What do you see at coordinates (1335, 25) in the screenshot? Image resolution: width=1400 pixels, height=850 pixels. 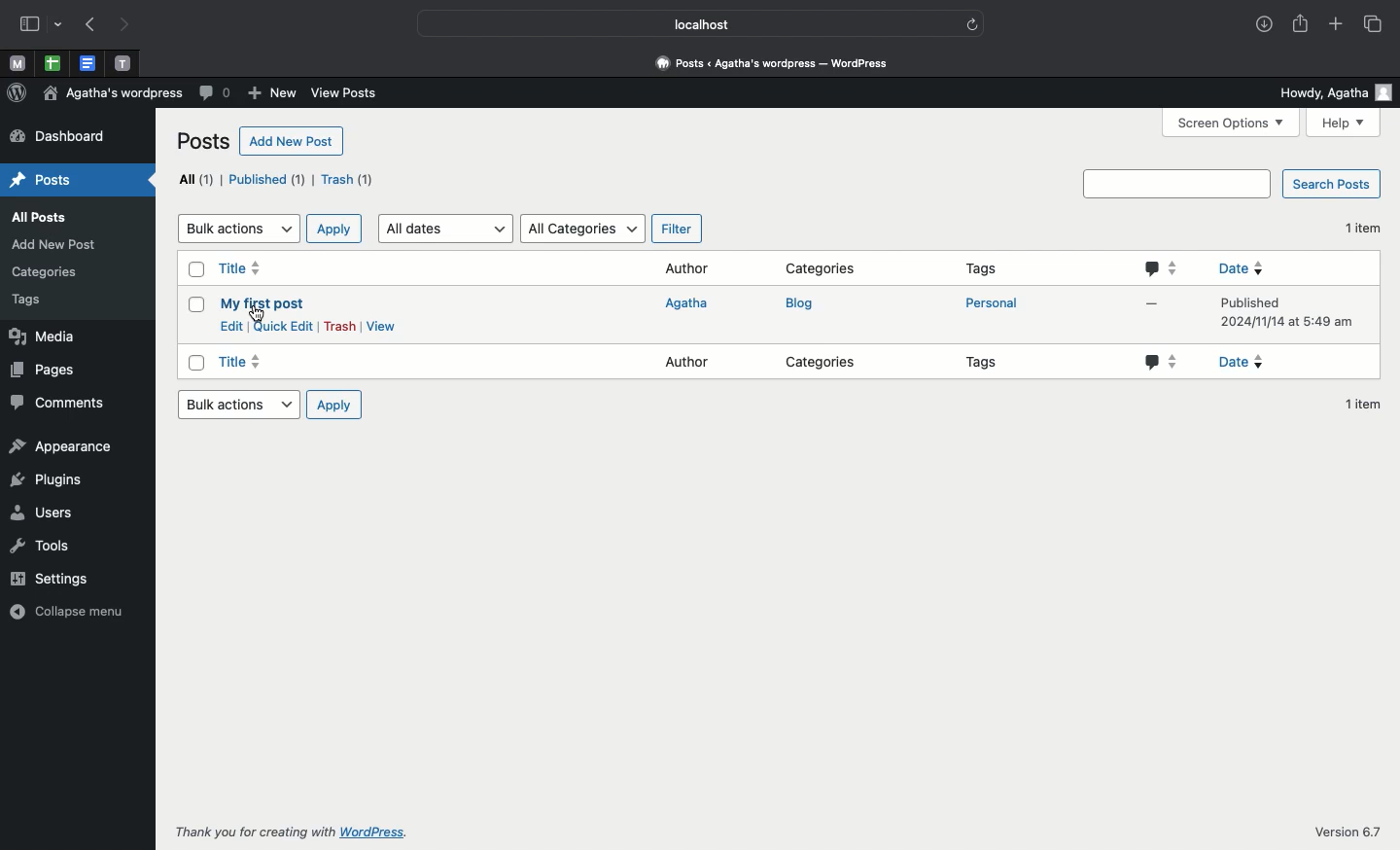 I see `Add new tab` at bounding box center [1335, 25].